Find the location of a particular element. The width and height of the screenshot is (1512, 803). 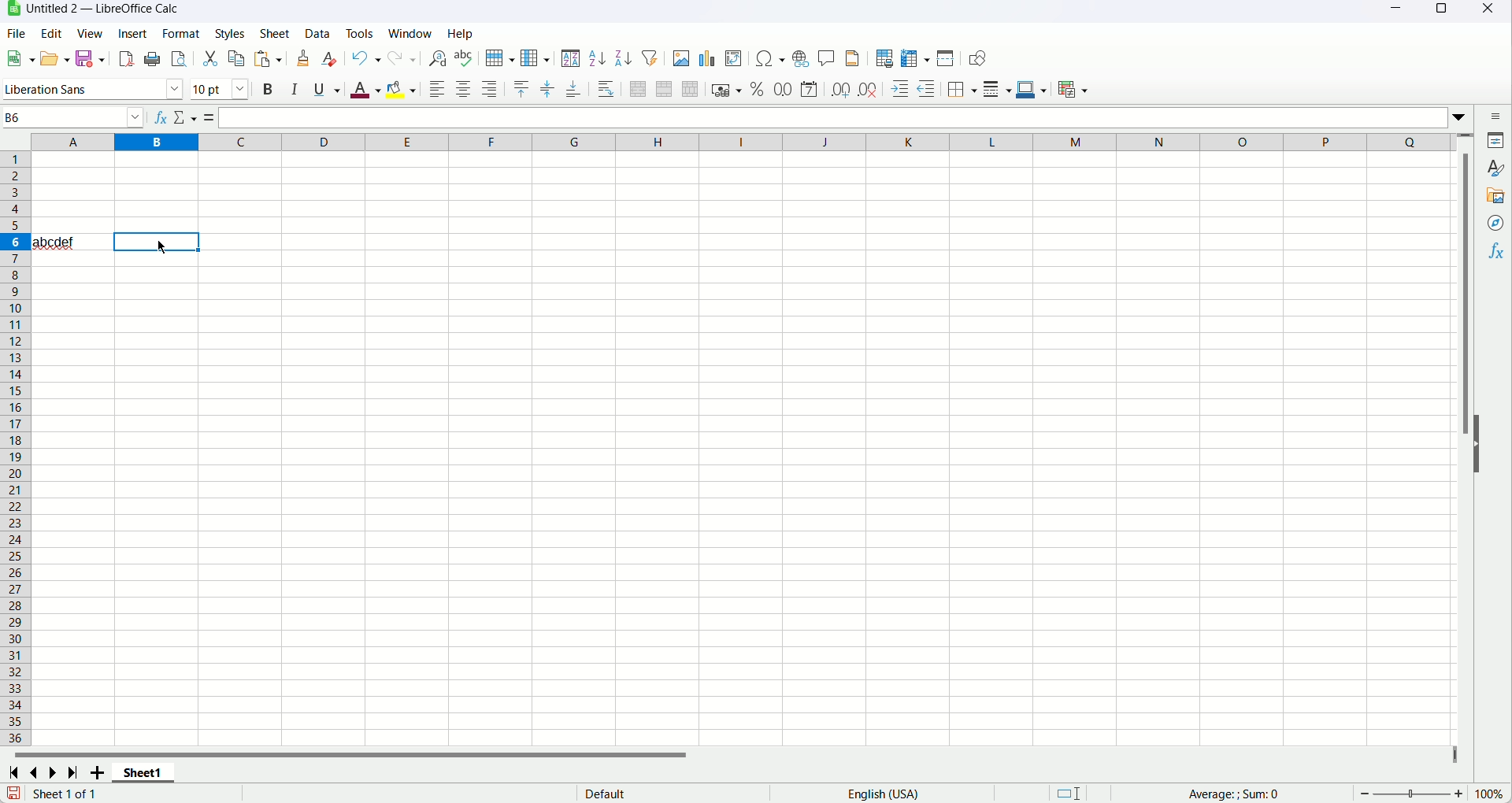

window is located at coordinates (409, 33).